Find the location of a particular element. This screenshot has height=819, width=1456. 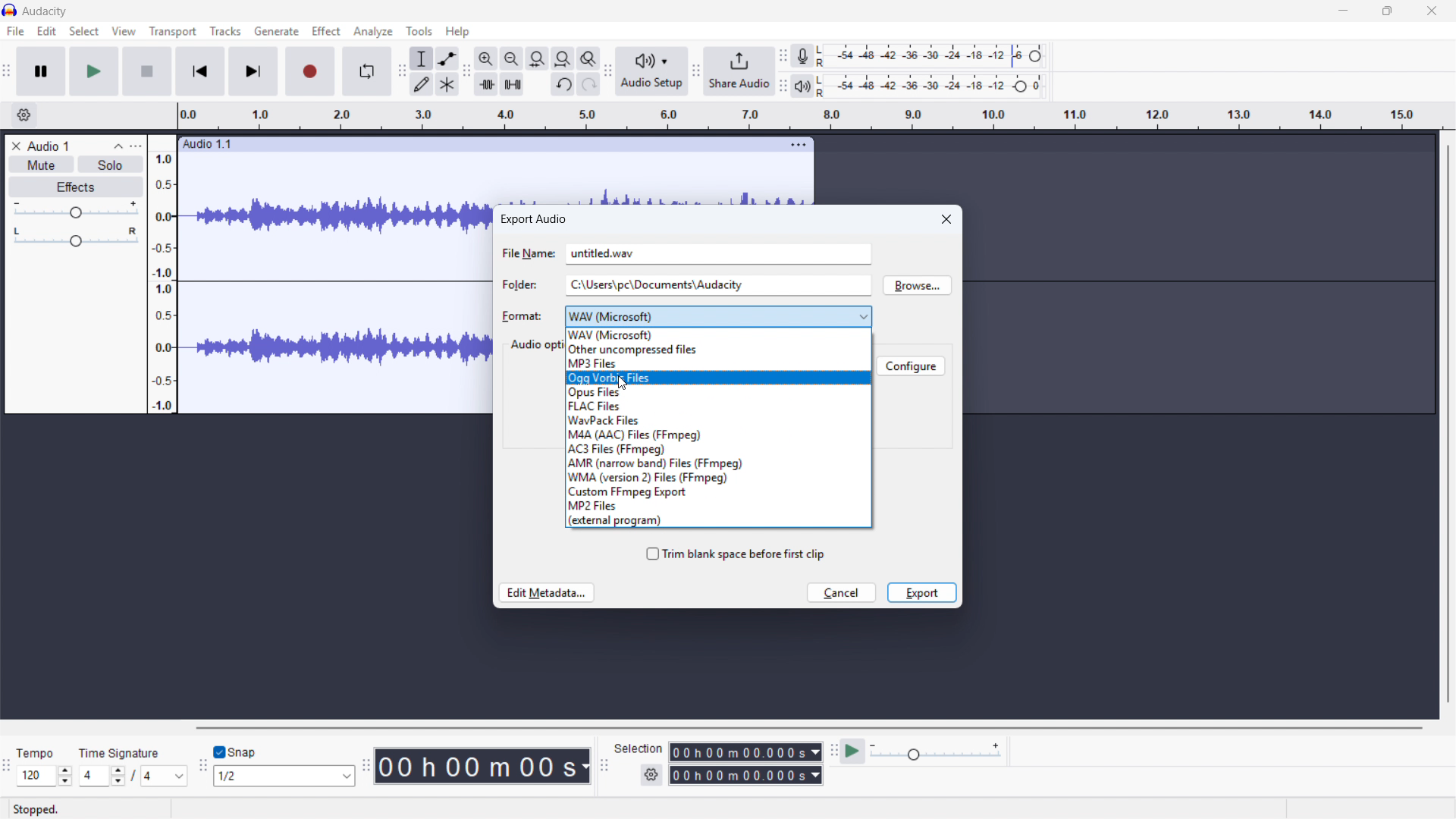

Selection settings  is located at coordinates (651, 774).